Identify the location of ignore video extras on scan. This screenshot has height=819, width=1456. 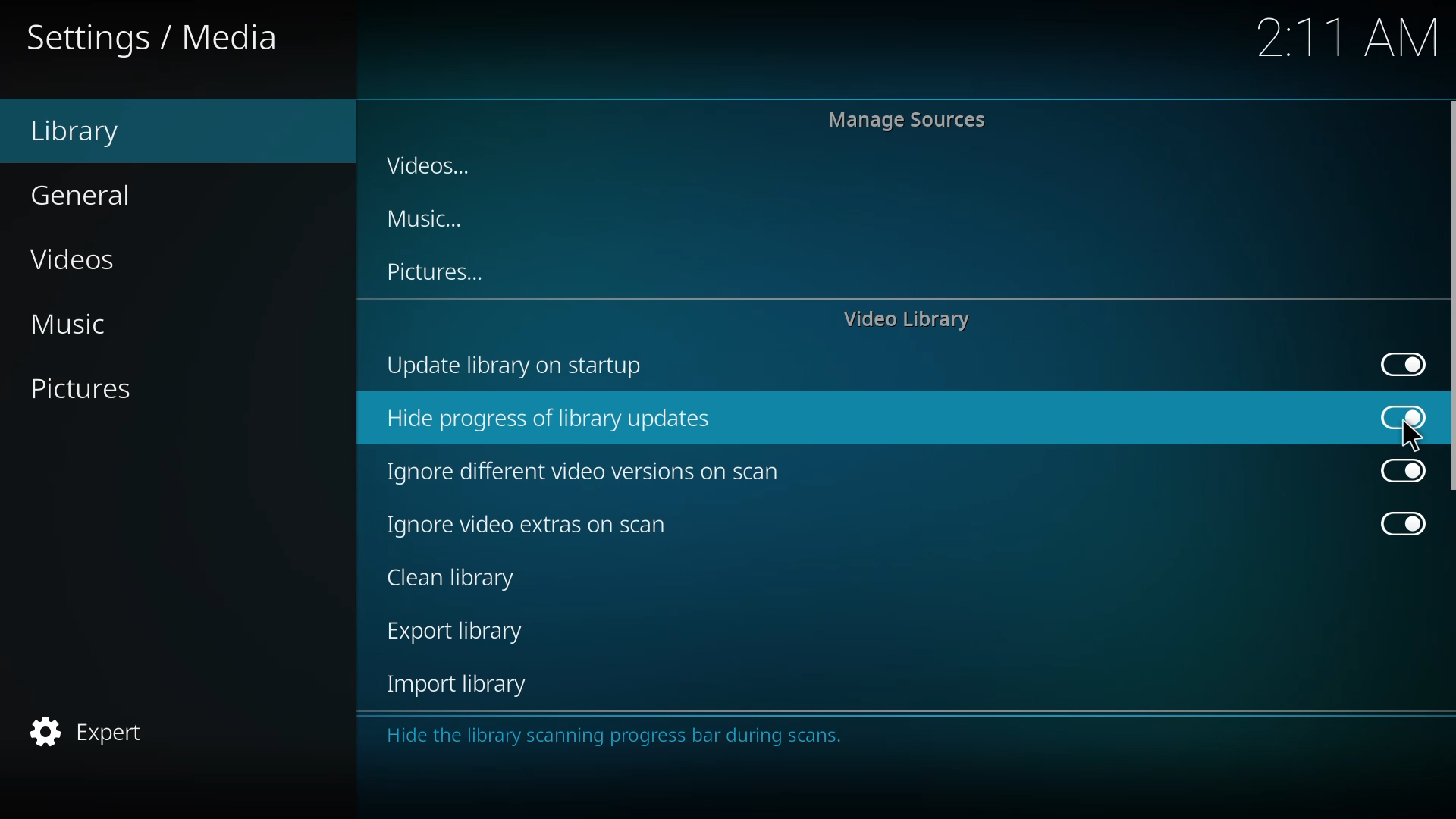
(529, 525).